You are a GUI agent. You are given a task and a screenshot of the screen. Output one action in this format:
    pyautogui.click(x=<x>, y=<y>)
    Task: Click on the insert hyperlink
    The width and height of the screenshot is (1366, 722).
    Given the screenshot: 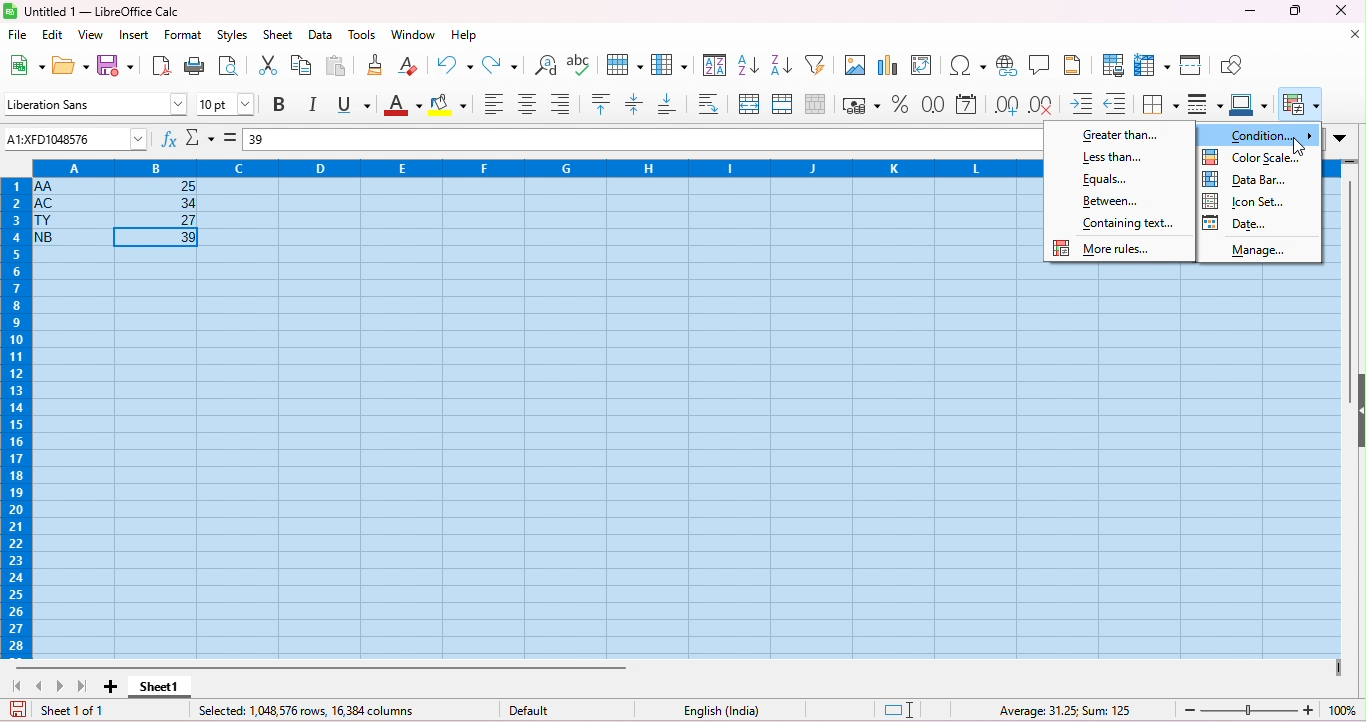 What is the action you would take?
    pyautogui.click(x=1007, y=65)
    